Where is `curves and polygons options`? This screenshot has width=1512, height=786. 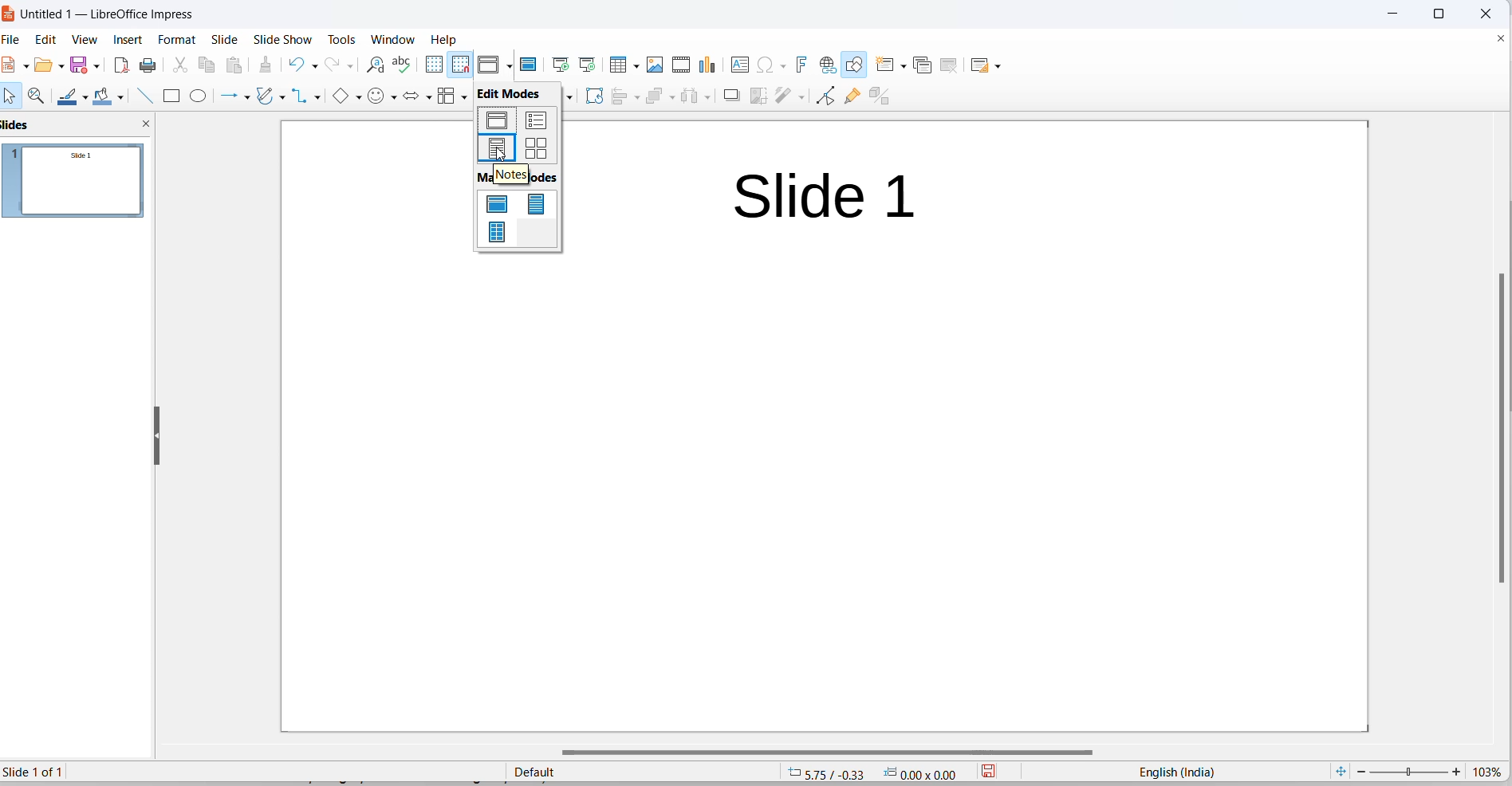
curves and polygons options is located at coordinates (286, 96).